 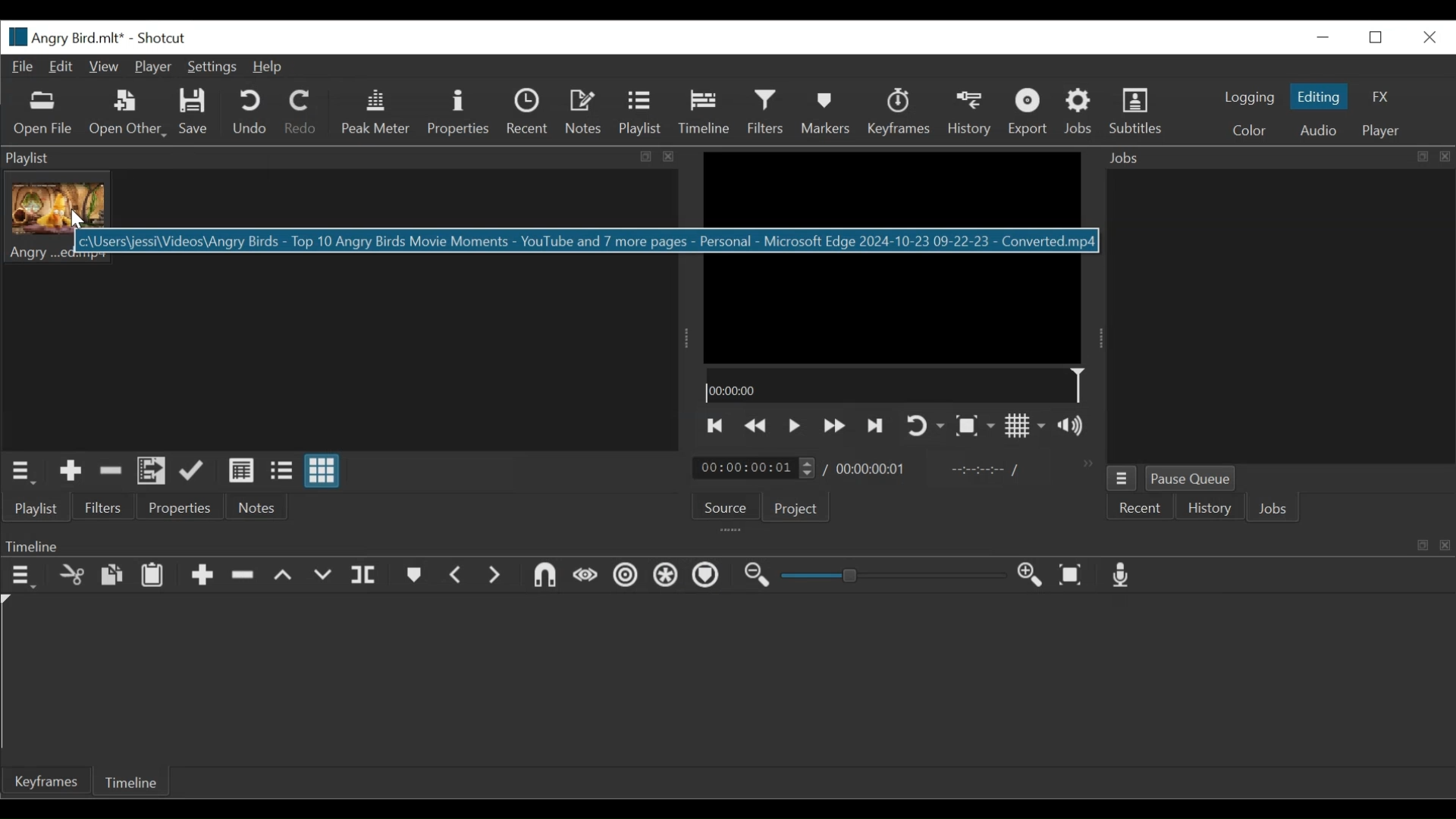 What do you see at coordinates (1031, 114) in the screenshot?
I see `Export` at bounding box center [1031, 114].